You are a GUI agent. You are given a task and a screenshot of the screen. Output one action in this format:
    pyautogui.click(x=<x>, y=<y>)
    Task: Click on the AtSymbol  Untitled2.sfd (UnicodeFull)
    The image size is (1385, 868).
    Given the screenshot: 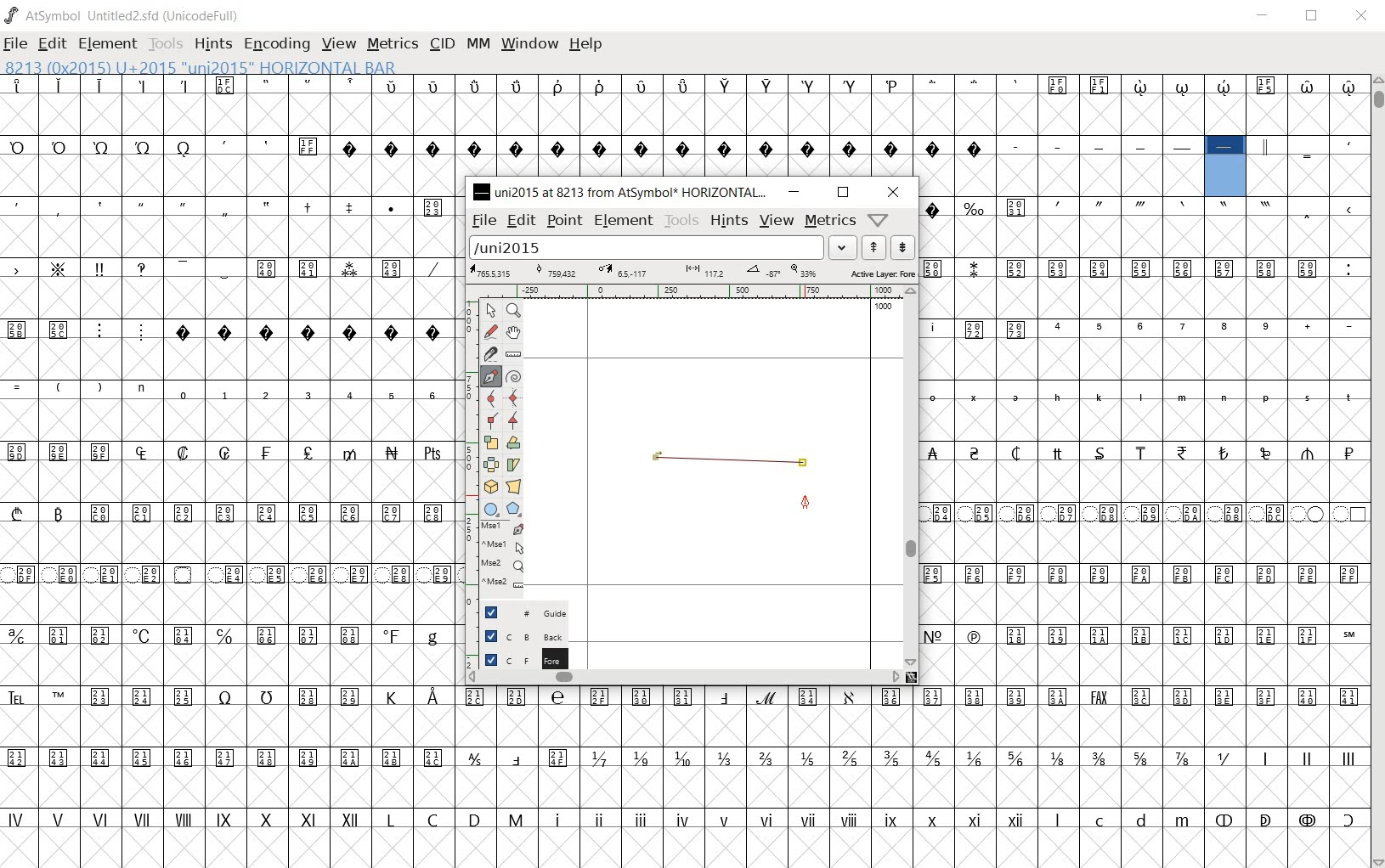 What is the action you would take?
    pyautogui.click(x=123, y=15)
    